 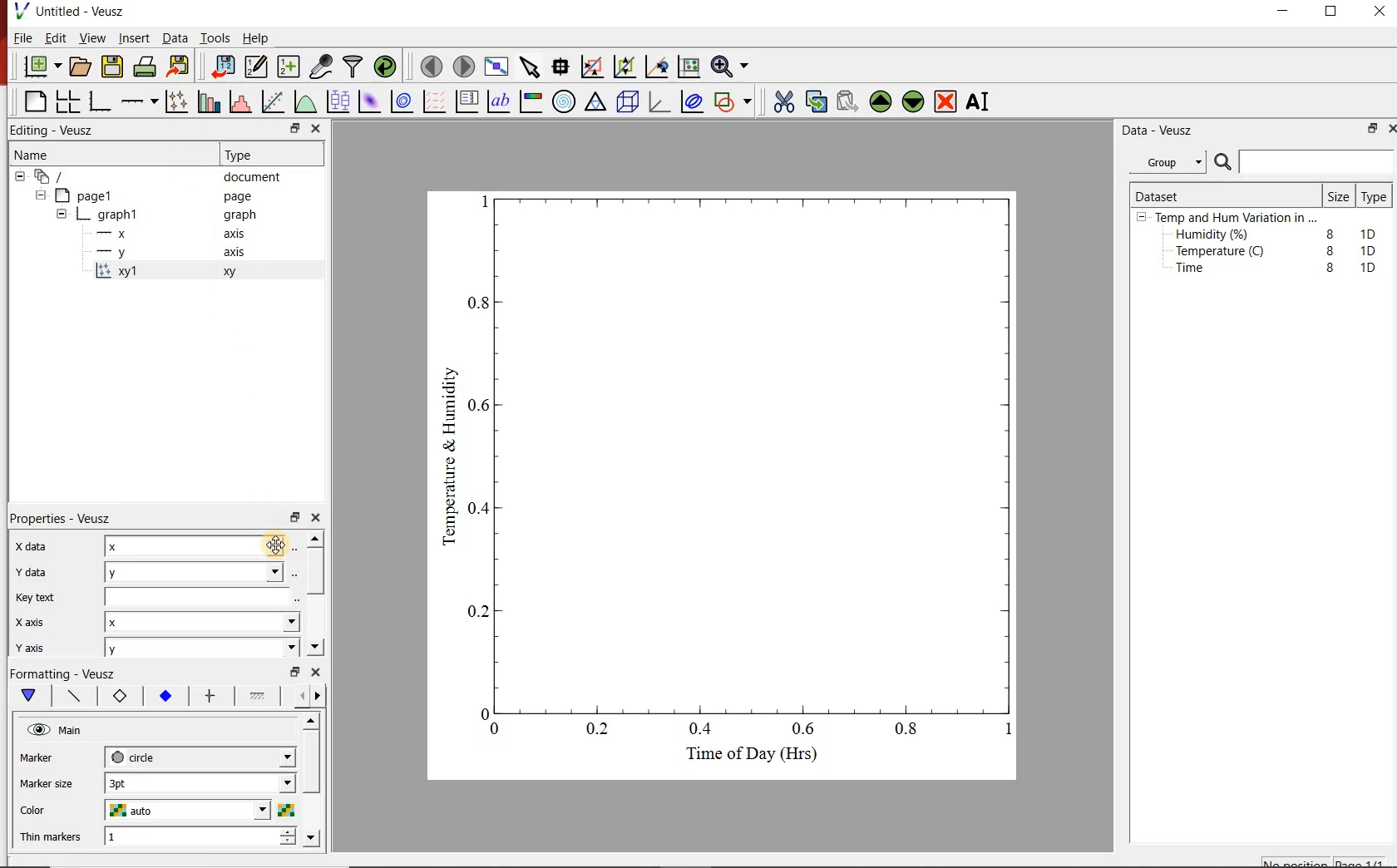 I want to click on polar graph, so click(x=565, y=103).